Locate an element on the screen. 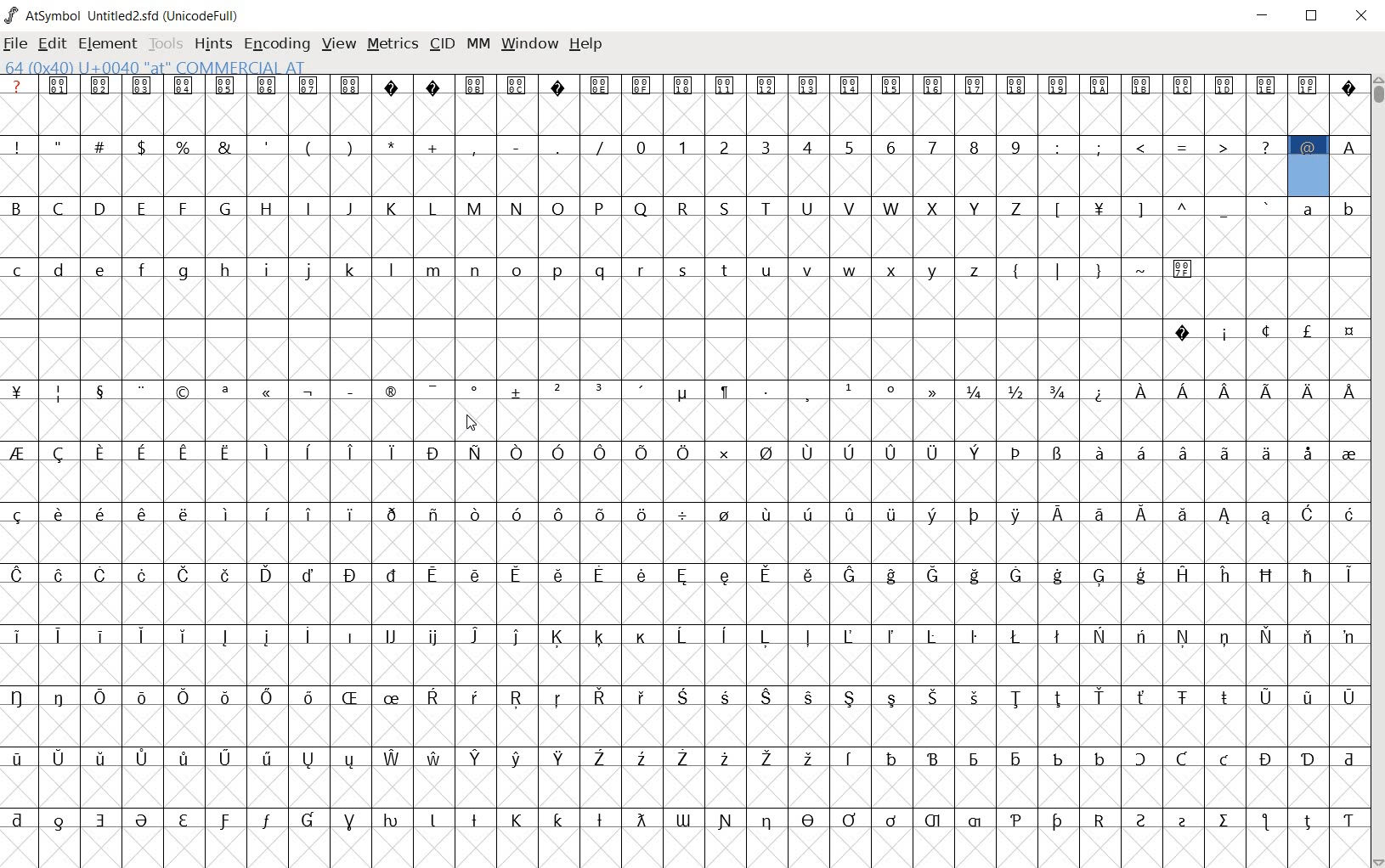 This screenshot has width=1385, height=868. empty glyph slots is located at coordinates (685, 662).